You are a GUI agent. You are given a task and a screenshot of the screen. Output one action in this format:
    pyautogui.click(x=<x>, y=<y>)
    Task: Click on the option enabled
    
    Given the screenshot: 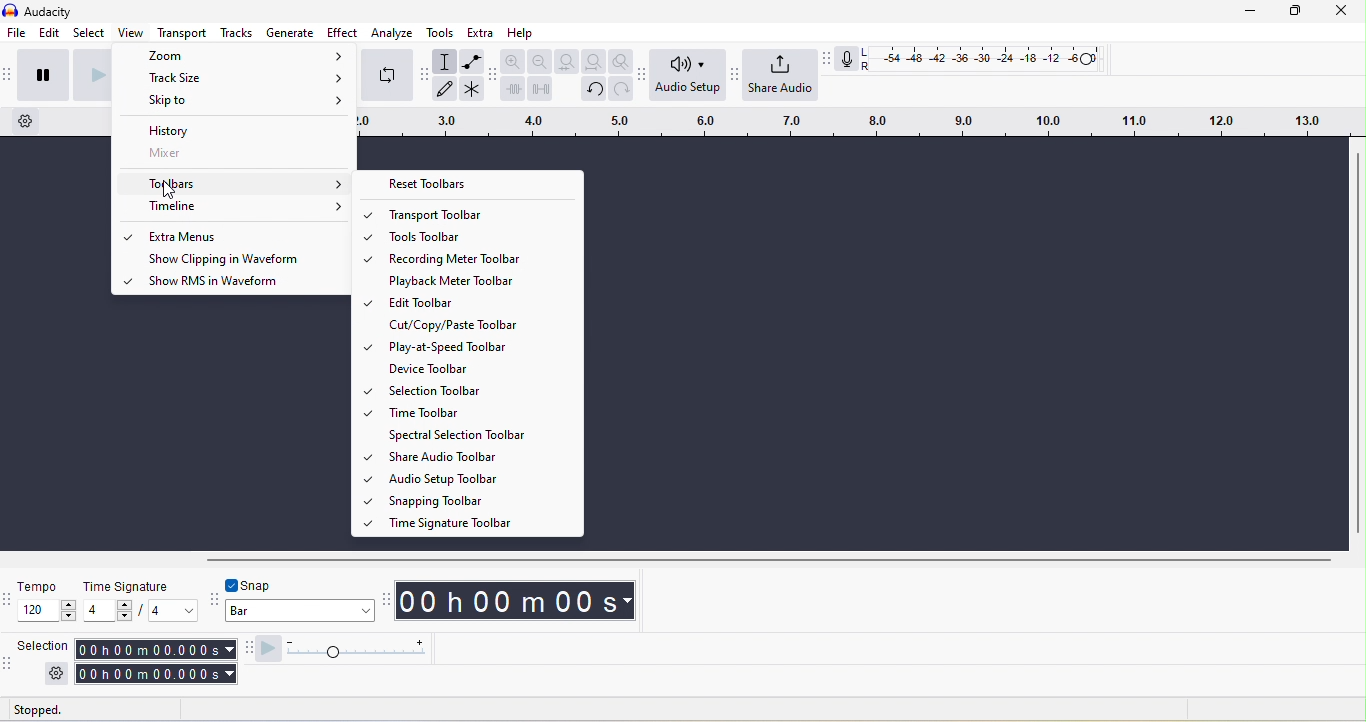 What is the action you would take?
    pyautogui.click(x=125, y=280)
    